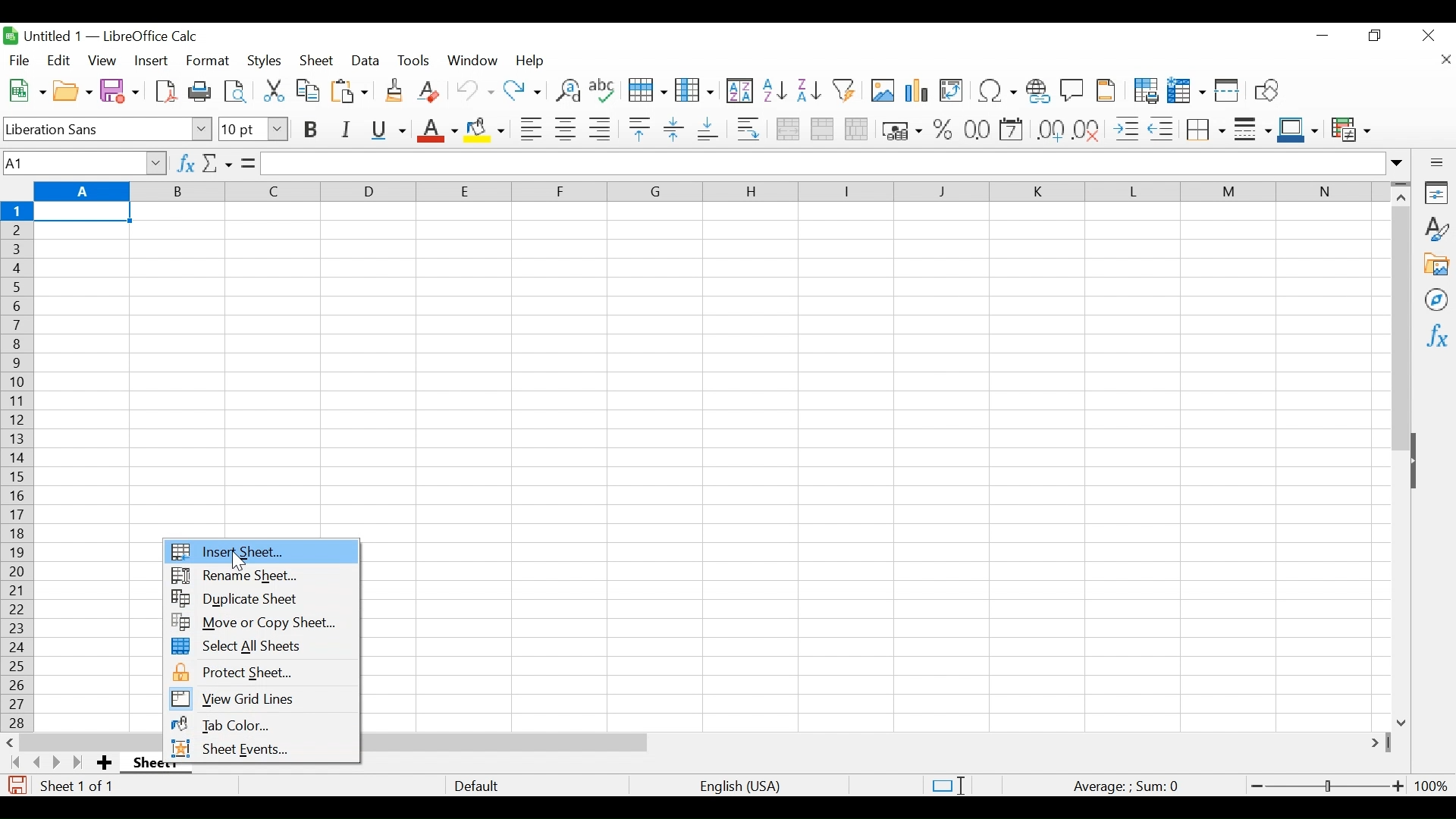  Describe the element at coordinates (217, 163) in the screenshot. I see `Select Function` at that location.